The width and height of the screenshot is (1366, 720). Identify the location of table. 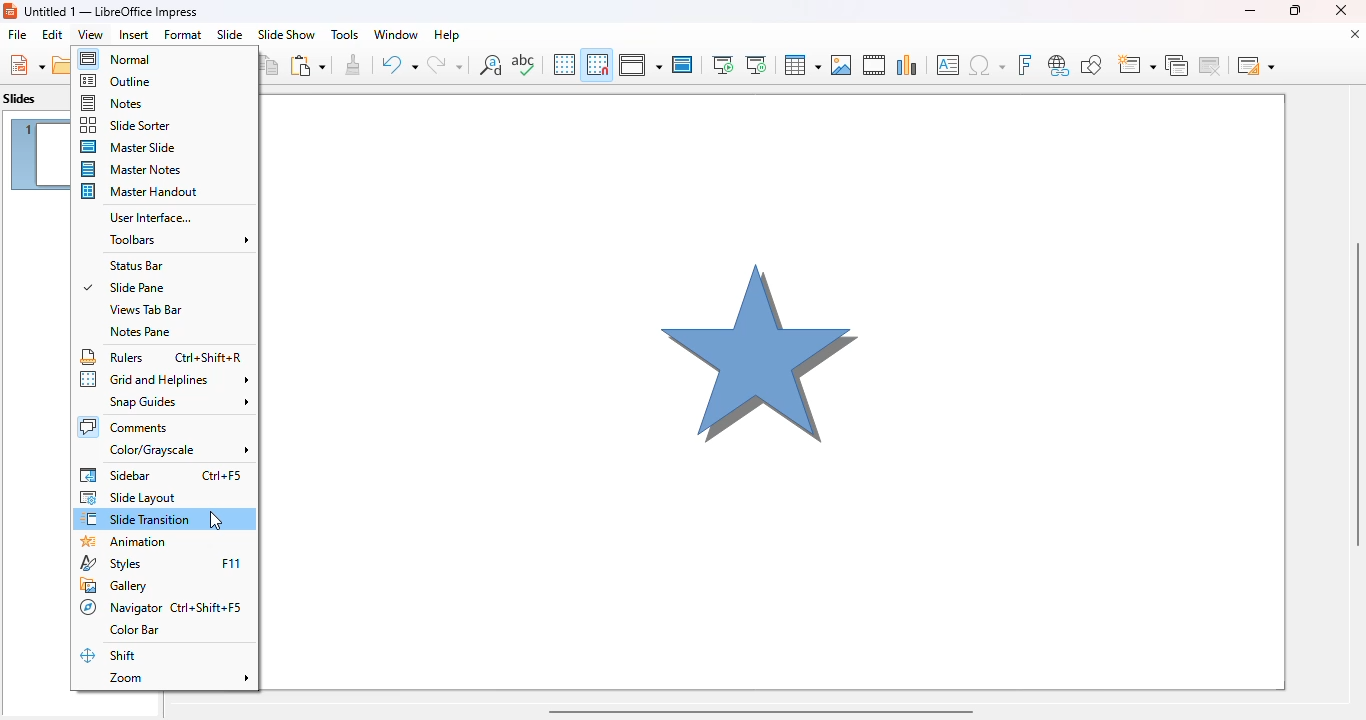
(801, 64).